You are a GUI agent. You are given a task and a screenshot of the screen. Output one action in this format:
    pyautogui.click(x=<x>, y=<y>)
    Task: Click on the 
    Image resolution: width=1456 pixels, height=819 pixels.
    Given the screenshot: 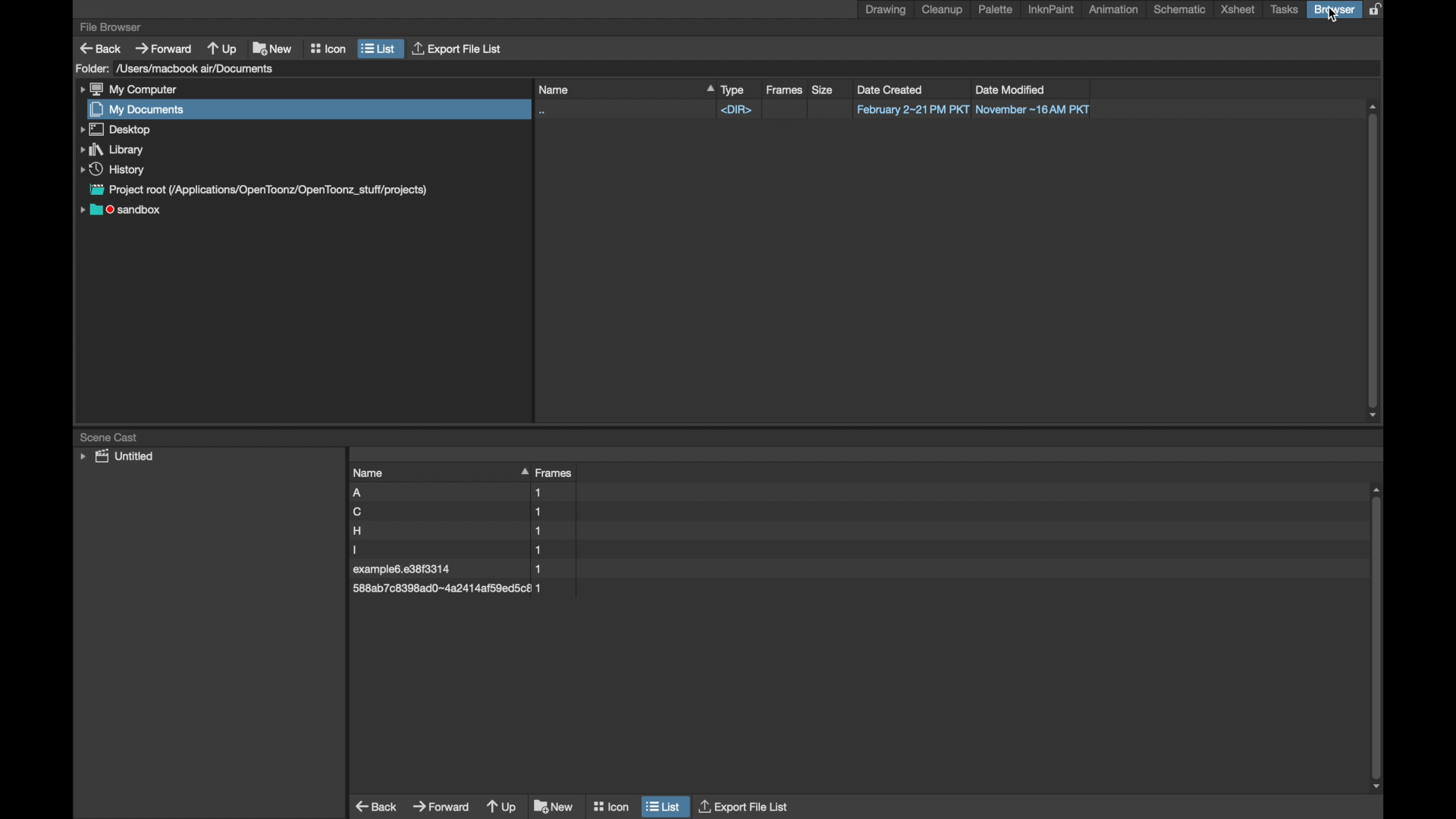 What is the action you would take?
    pyautogui.click(x=547, y=569)
    